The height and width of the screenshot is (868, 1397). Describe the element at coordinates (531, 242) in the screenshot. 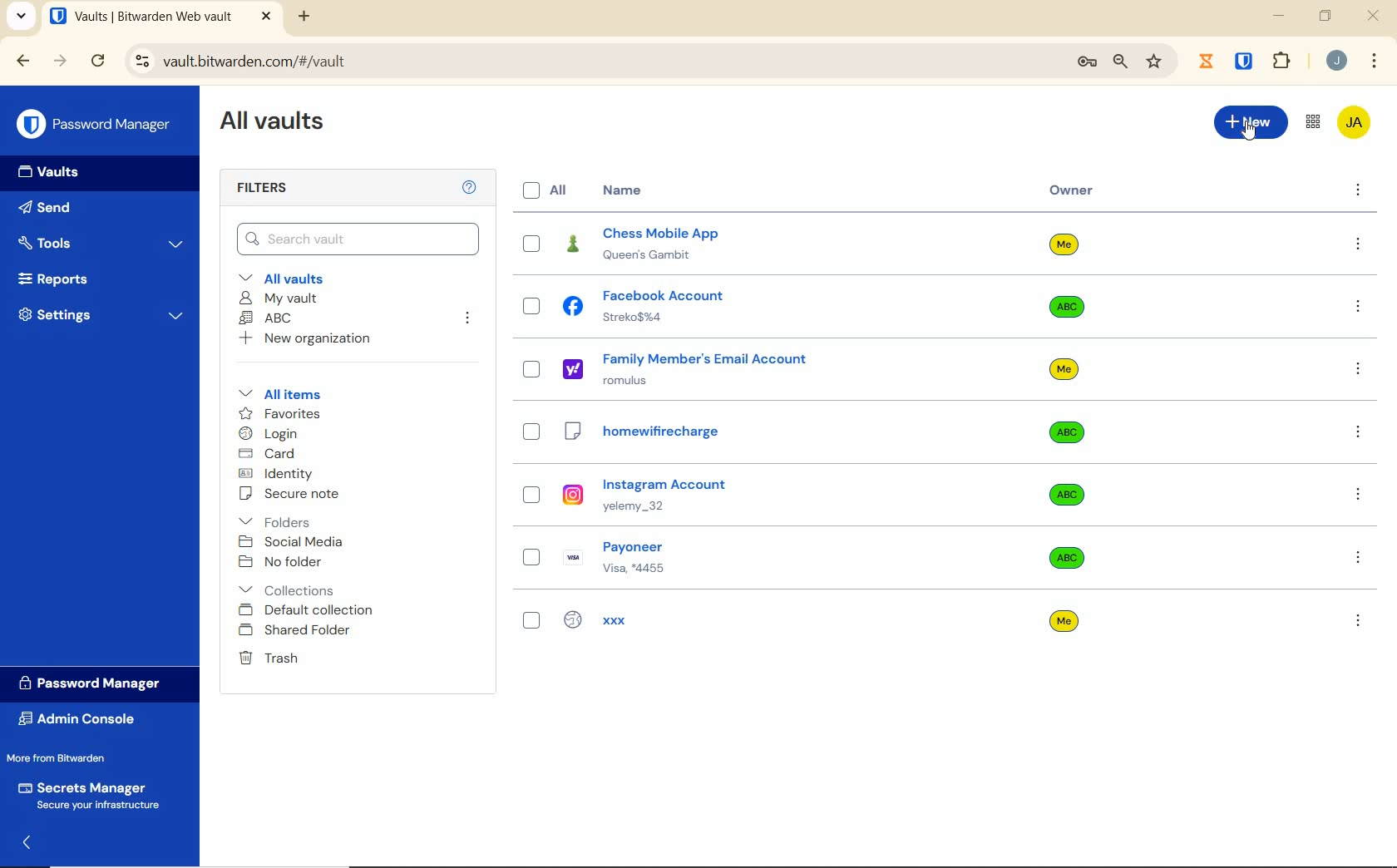

I see `checkbox` at that location.